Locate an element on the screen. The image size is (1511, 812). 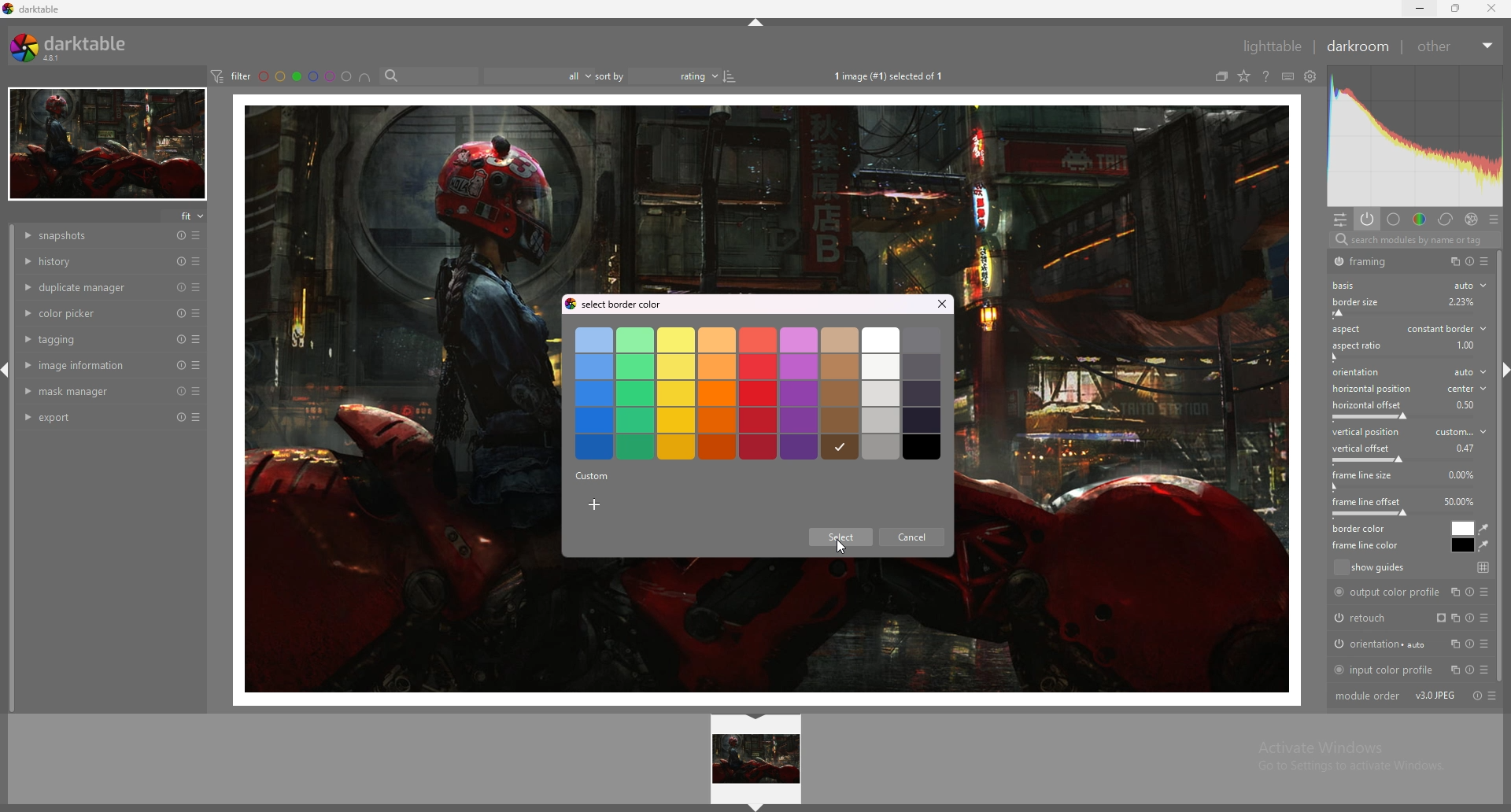
target image minimized is located at coordinates (106, 145).